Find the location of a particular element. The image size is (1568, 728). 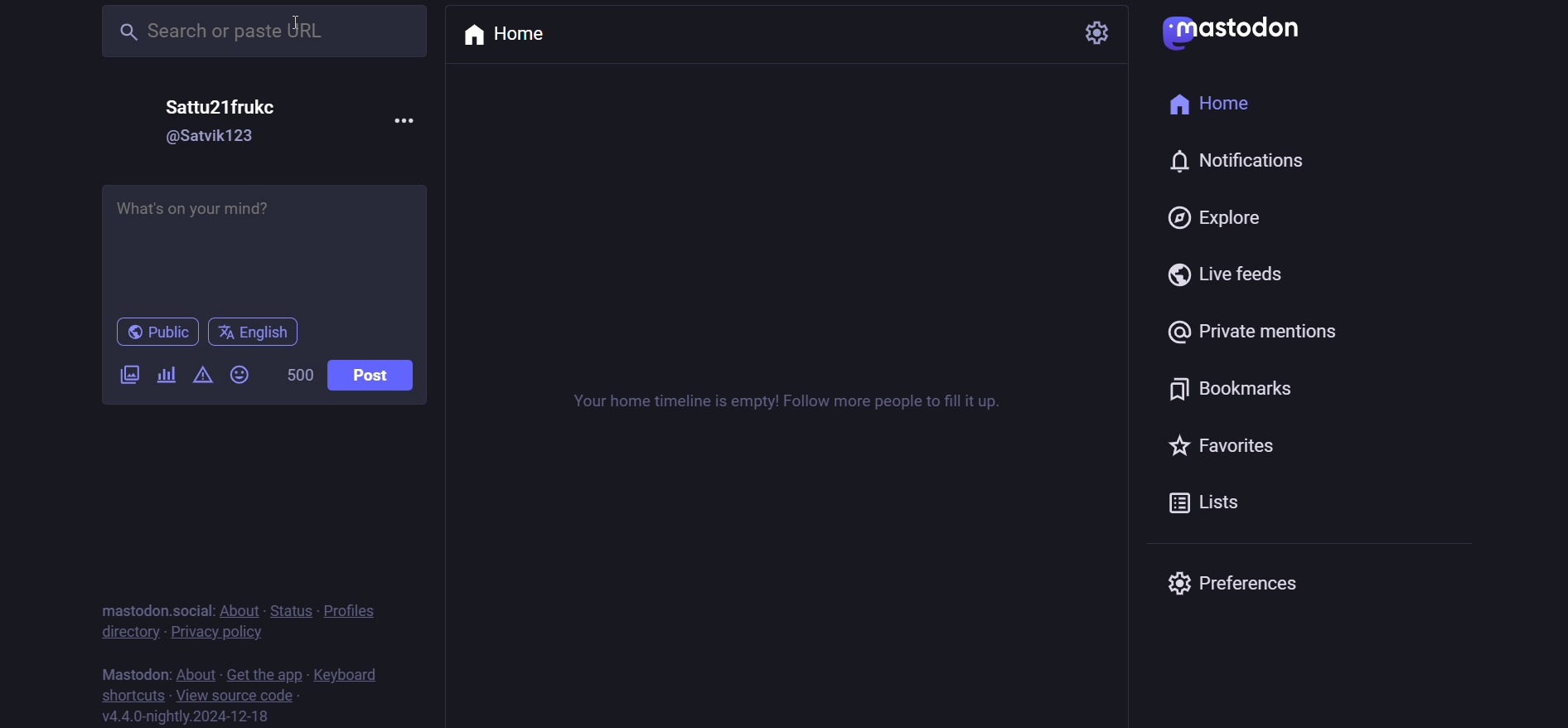

about is located at coordinates (236, 608).